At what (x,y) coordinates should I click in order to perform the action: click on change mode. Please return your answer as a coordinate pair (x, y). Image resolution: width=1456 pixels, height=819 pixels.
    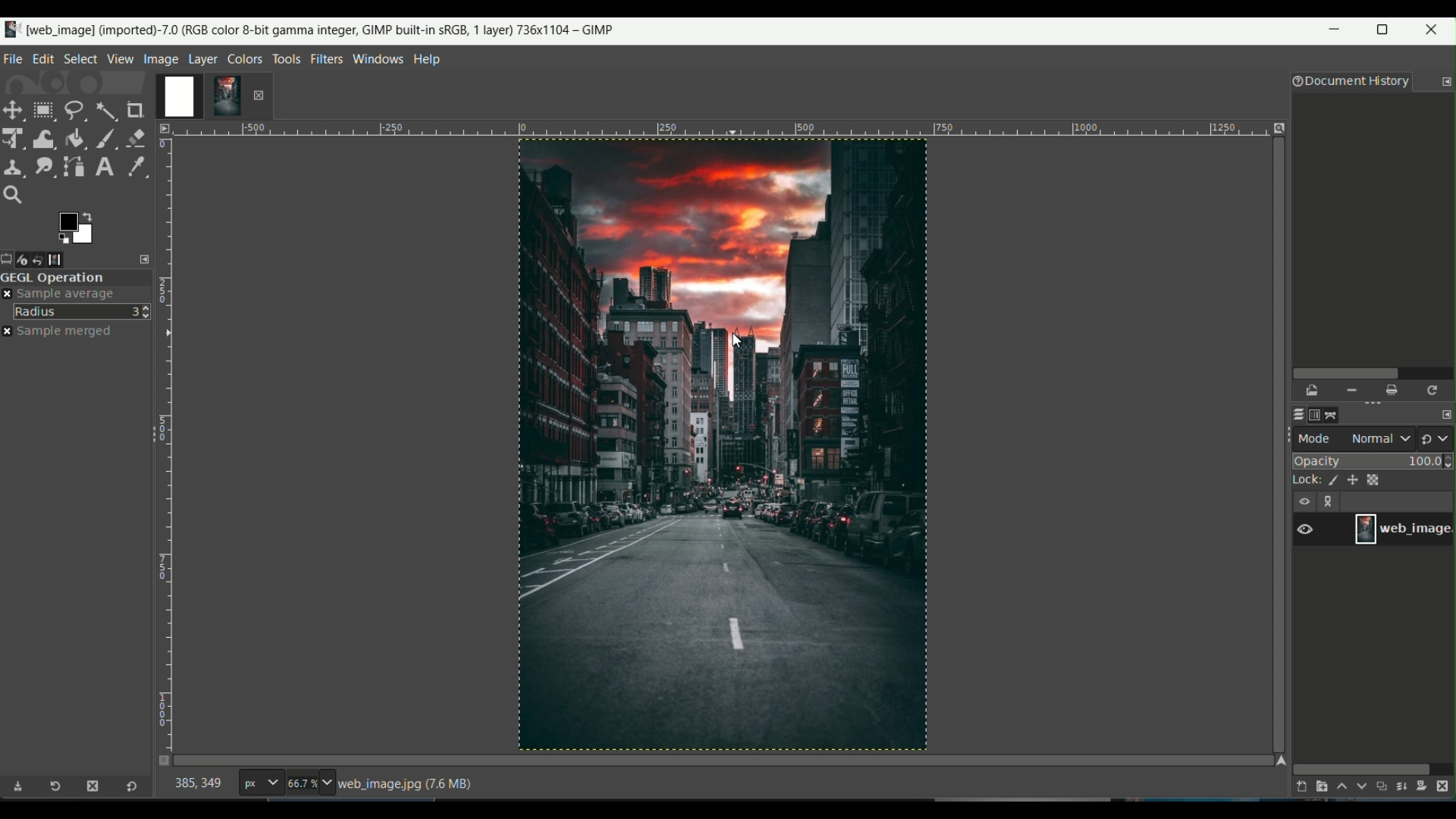
    Looking at the image, I should click on (1437, 438).